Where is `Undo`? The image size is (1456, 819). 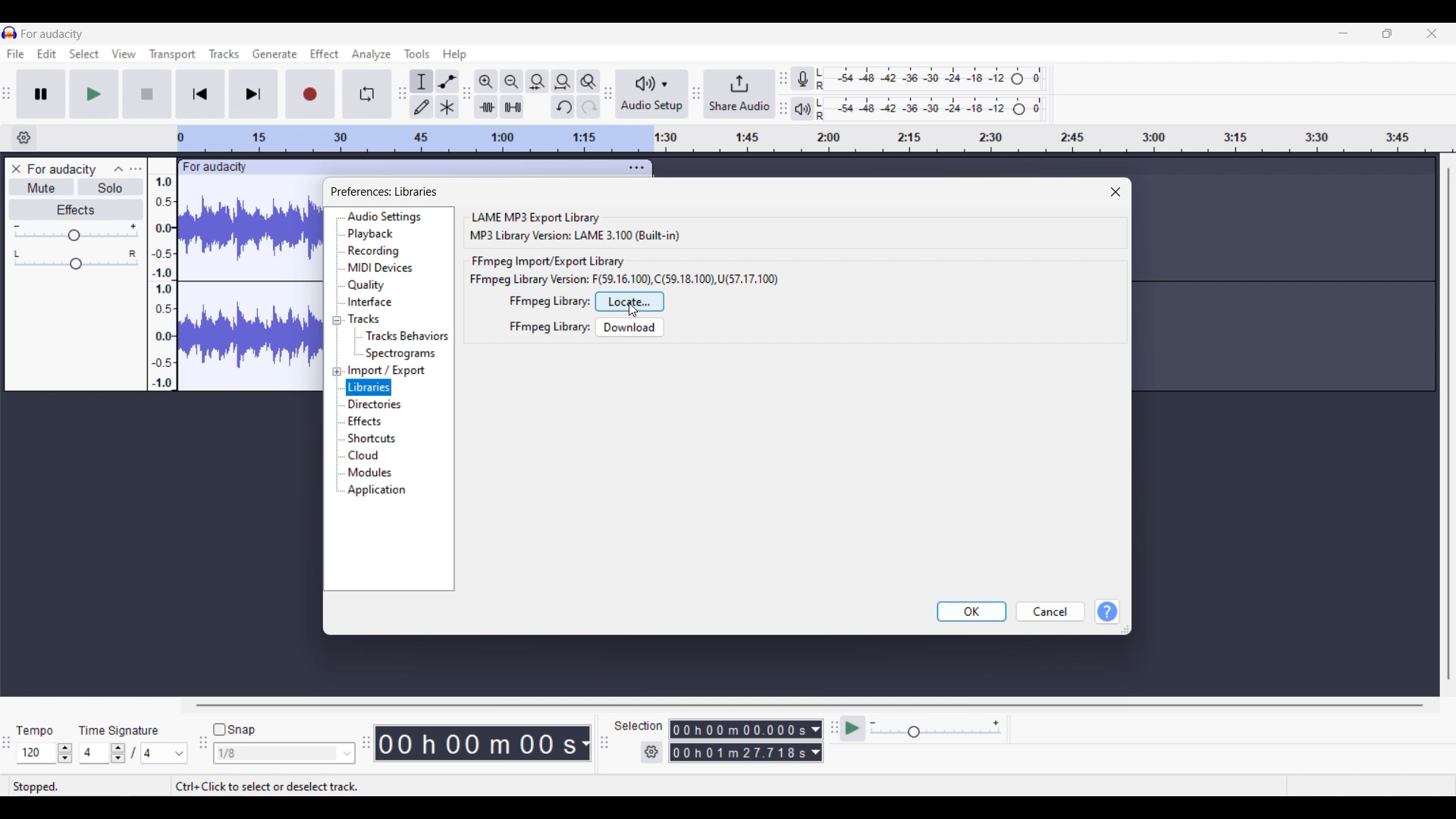 Undo is located at coordinates (563, 107).